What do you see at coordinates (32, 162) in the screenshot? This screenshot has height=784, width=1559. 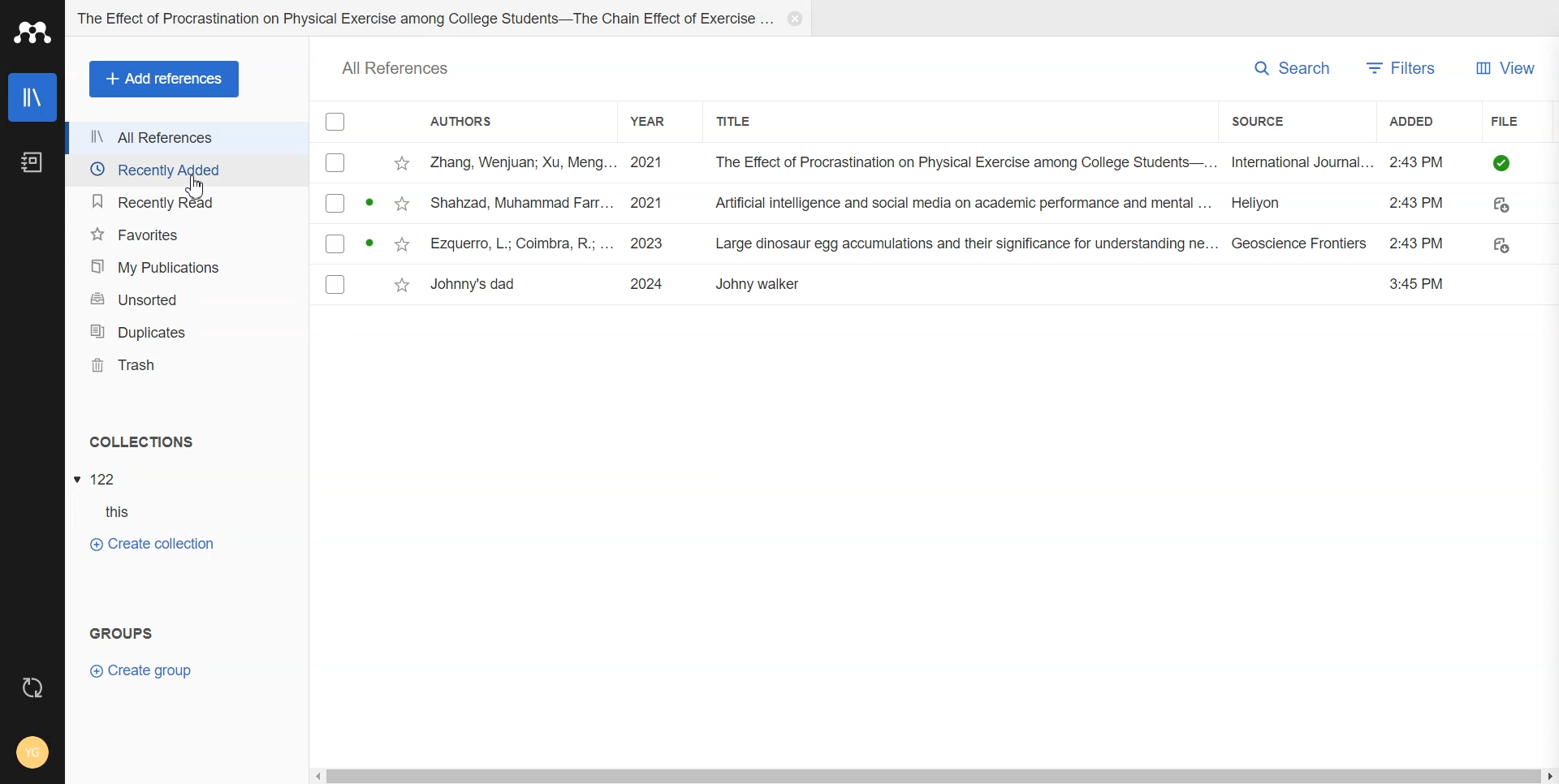 I see `Notebook` at bounding box center [32, 162].